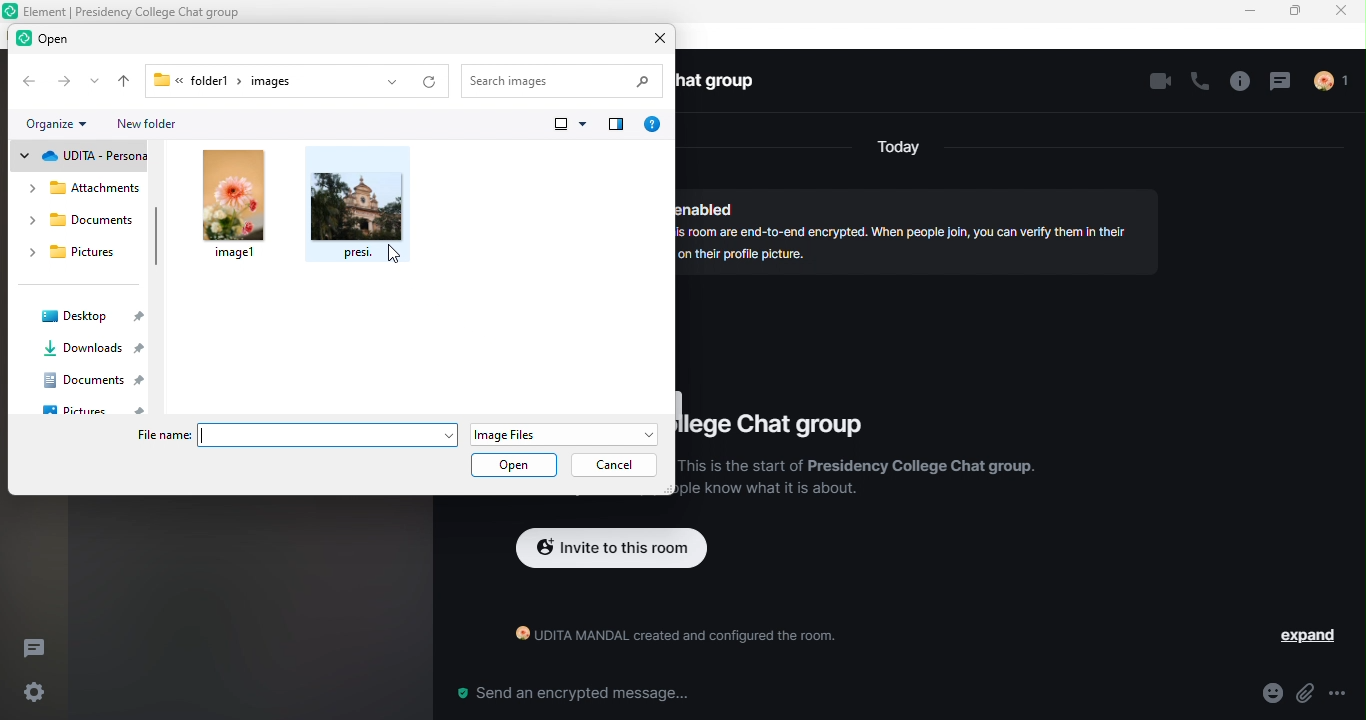  I want to click on images, so click(280, 81).